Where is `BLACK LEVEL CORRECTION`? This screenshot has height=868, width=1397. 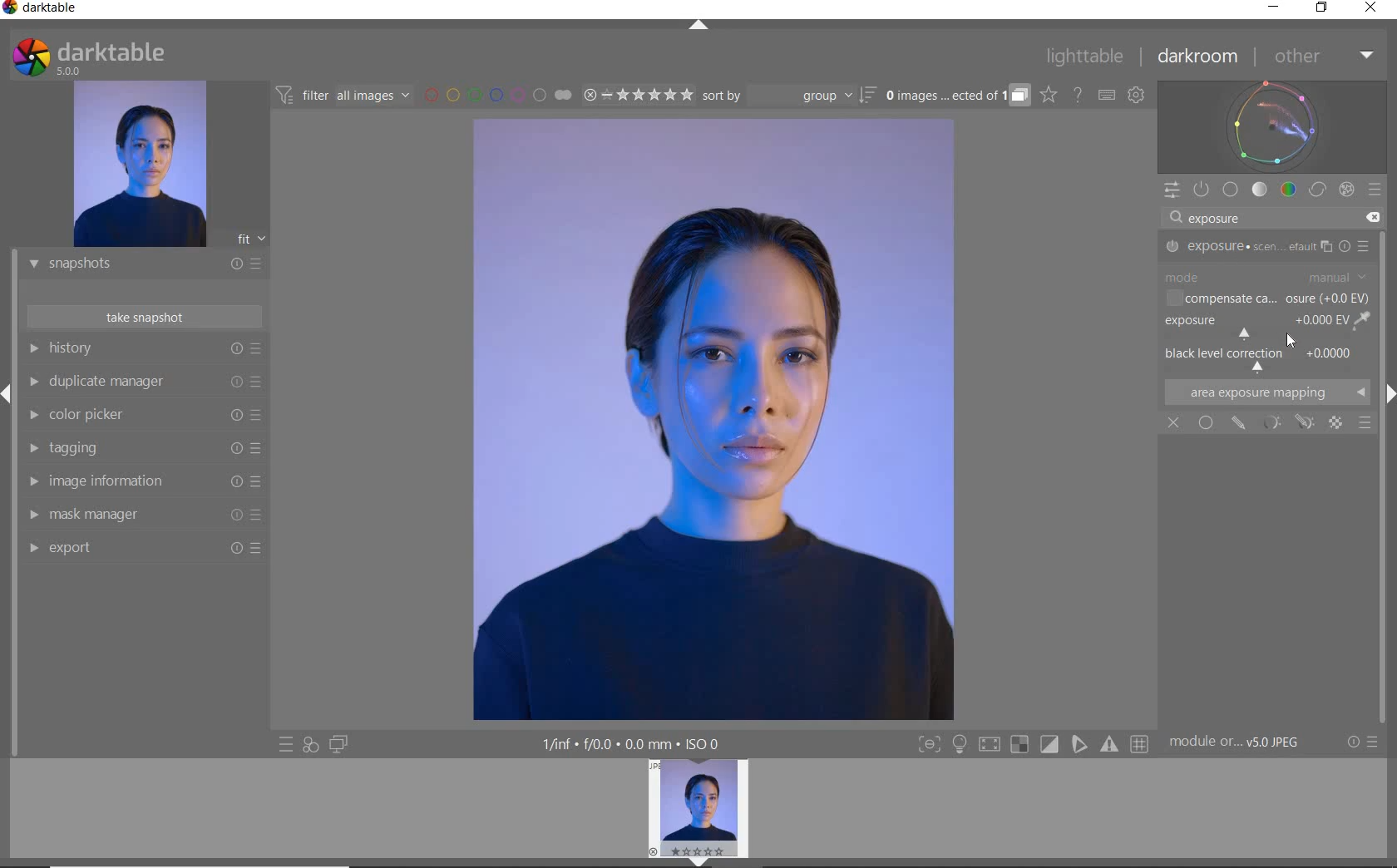
BLACK LEVEL CORRECTION is located at coordinates (1264, 358).